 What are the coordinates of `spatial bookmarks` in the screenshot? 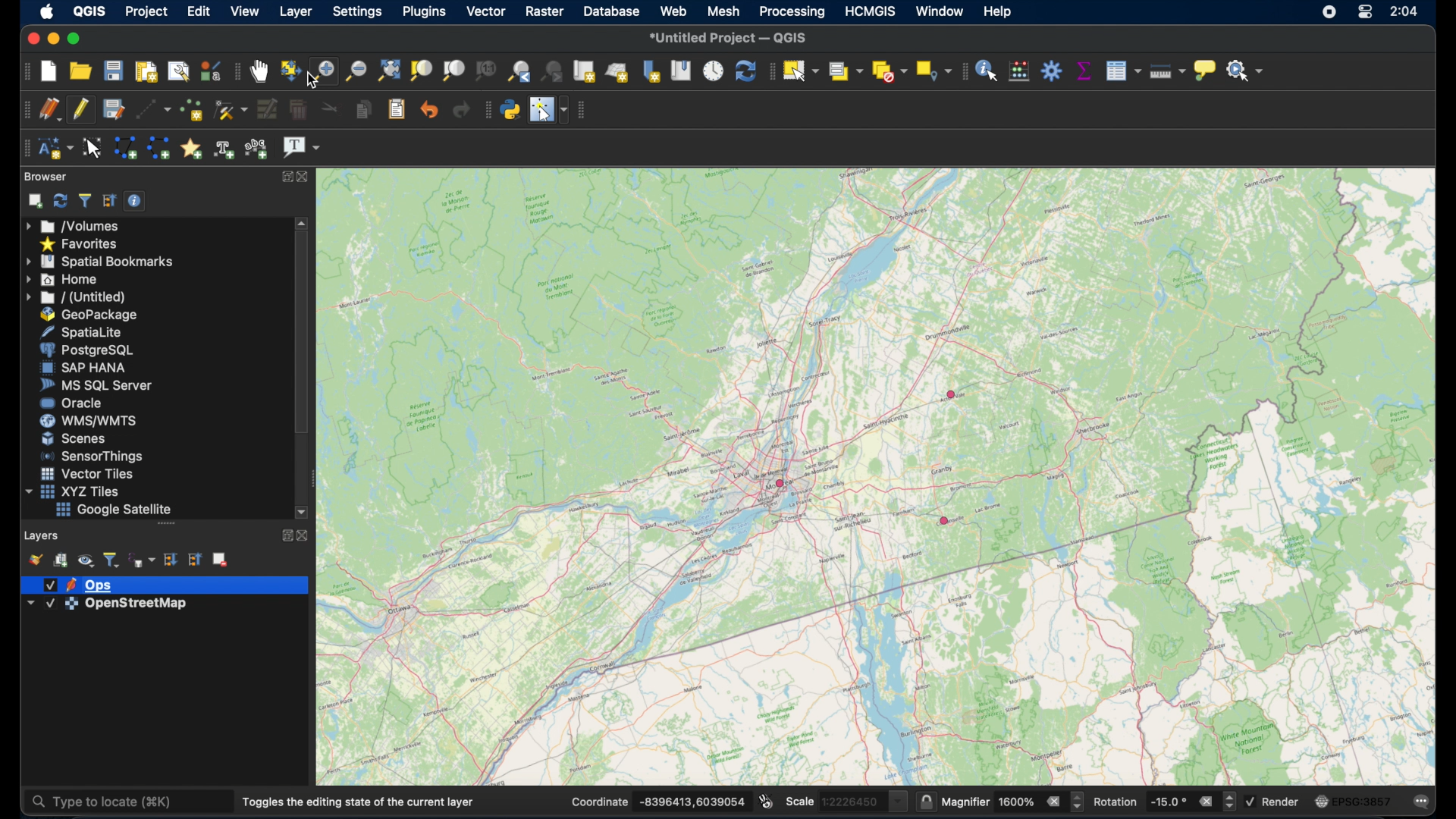 It's located at (99, 262).